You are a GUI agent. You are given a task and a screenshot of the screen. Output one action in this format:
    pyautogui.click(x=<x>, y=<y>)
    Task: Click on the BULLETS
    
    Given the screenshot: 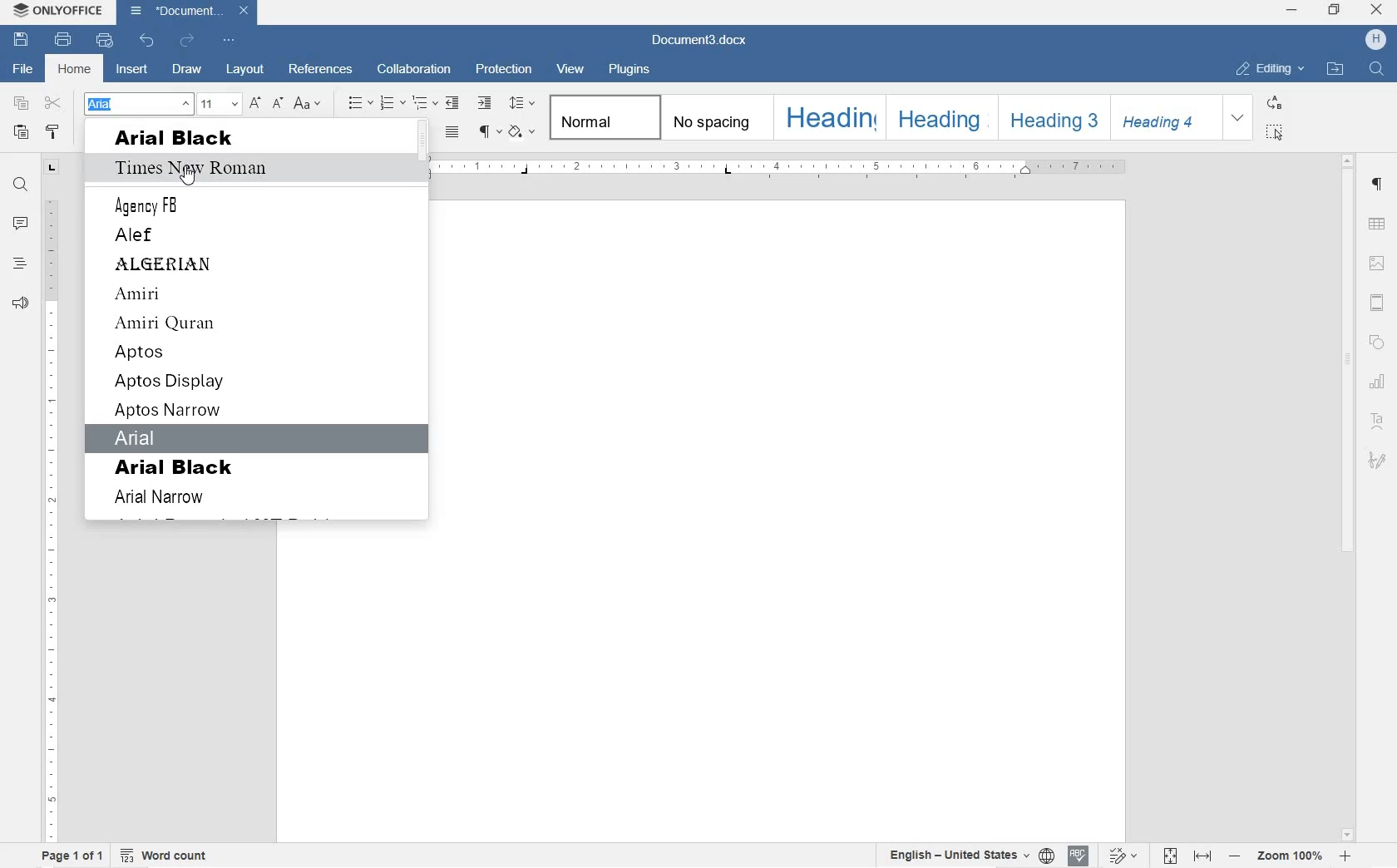 What is the action you would take?
    pyautogui.click(x=360, y=104)
    